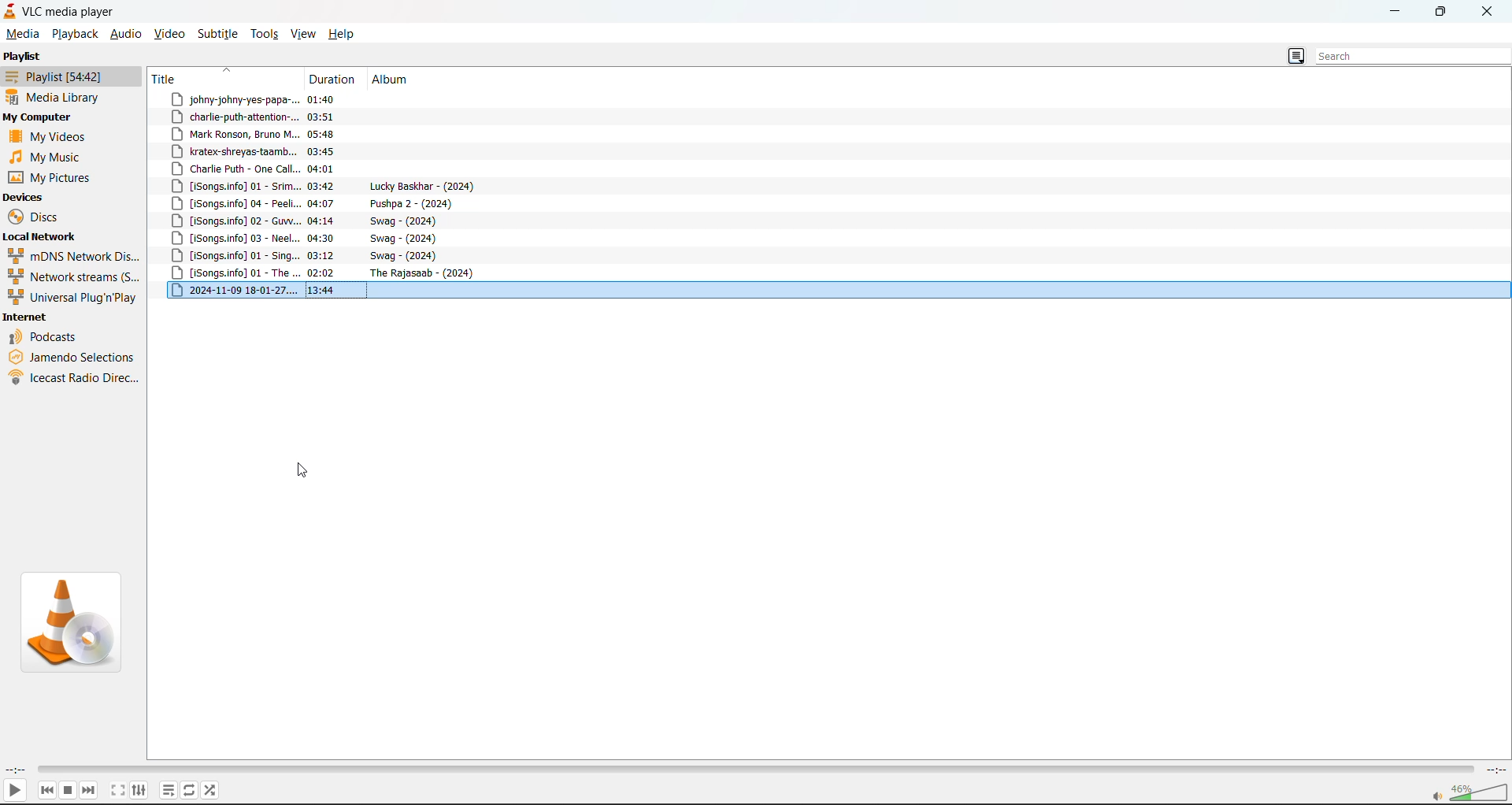 Image resolution: width=1512 pixels, height=805 pixels. Describe the element at coordinates (23, 57) in the screenshot. I see `playlist` at that location.